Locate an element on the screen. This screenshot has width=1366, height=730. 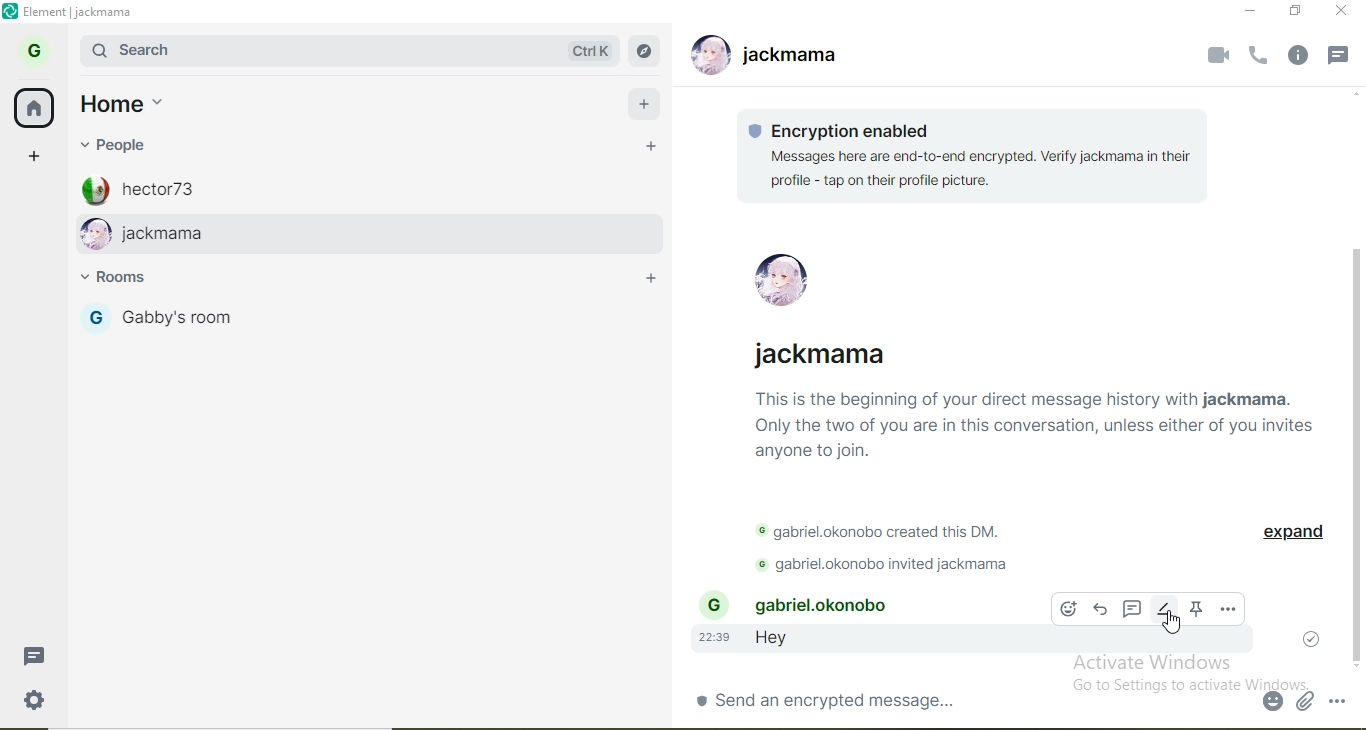
tick is located at coordinates (1309, 640).